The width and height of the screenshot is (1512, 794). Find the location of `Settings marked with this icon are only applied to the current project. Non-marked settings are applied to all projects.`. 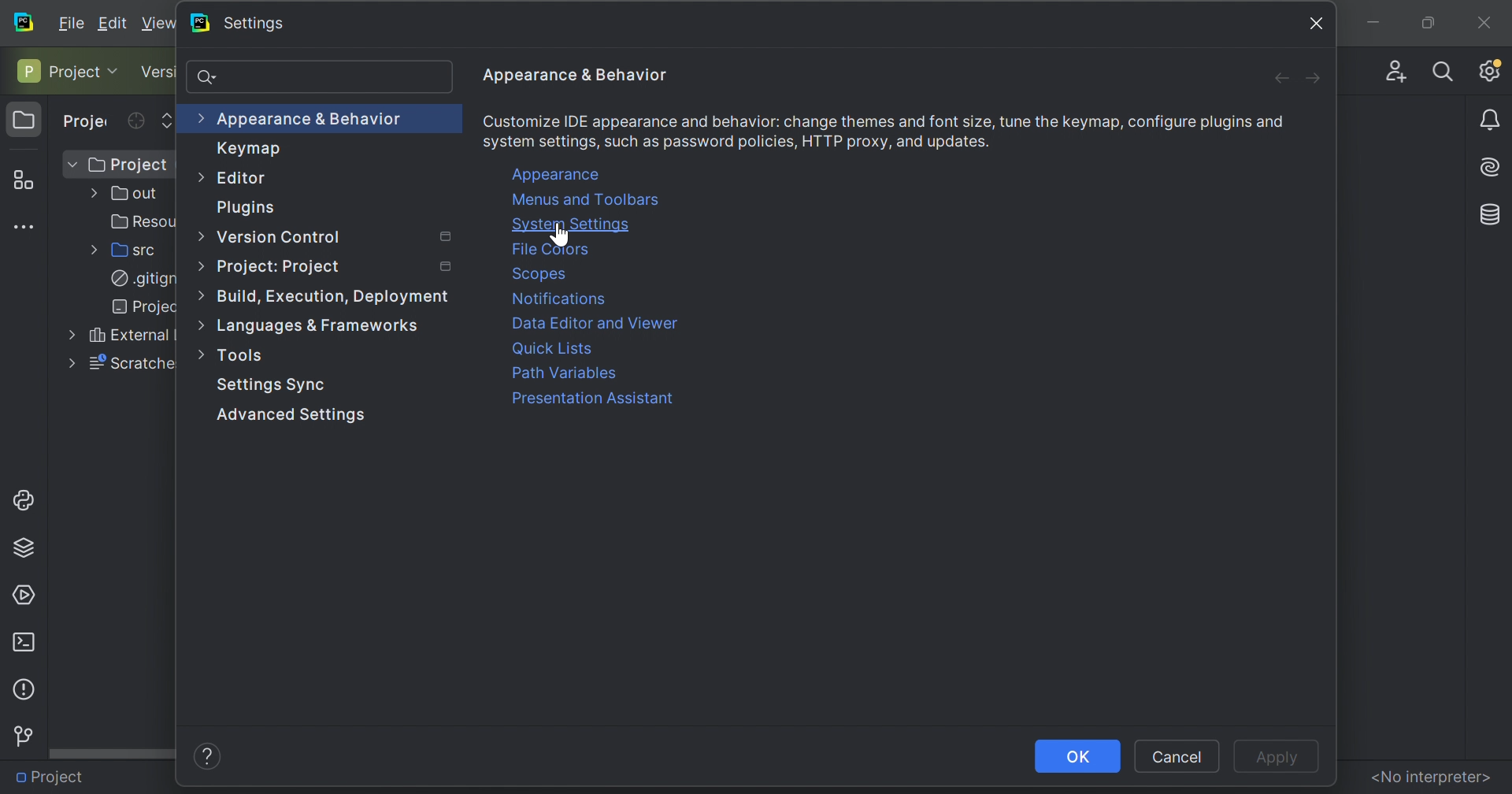

Settings marked with this icon are only applied to the current project. Non-marked settings are applied to all projects. is located at coordinates (447, 268).